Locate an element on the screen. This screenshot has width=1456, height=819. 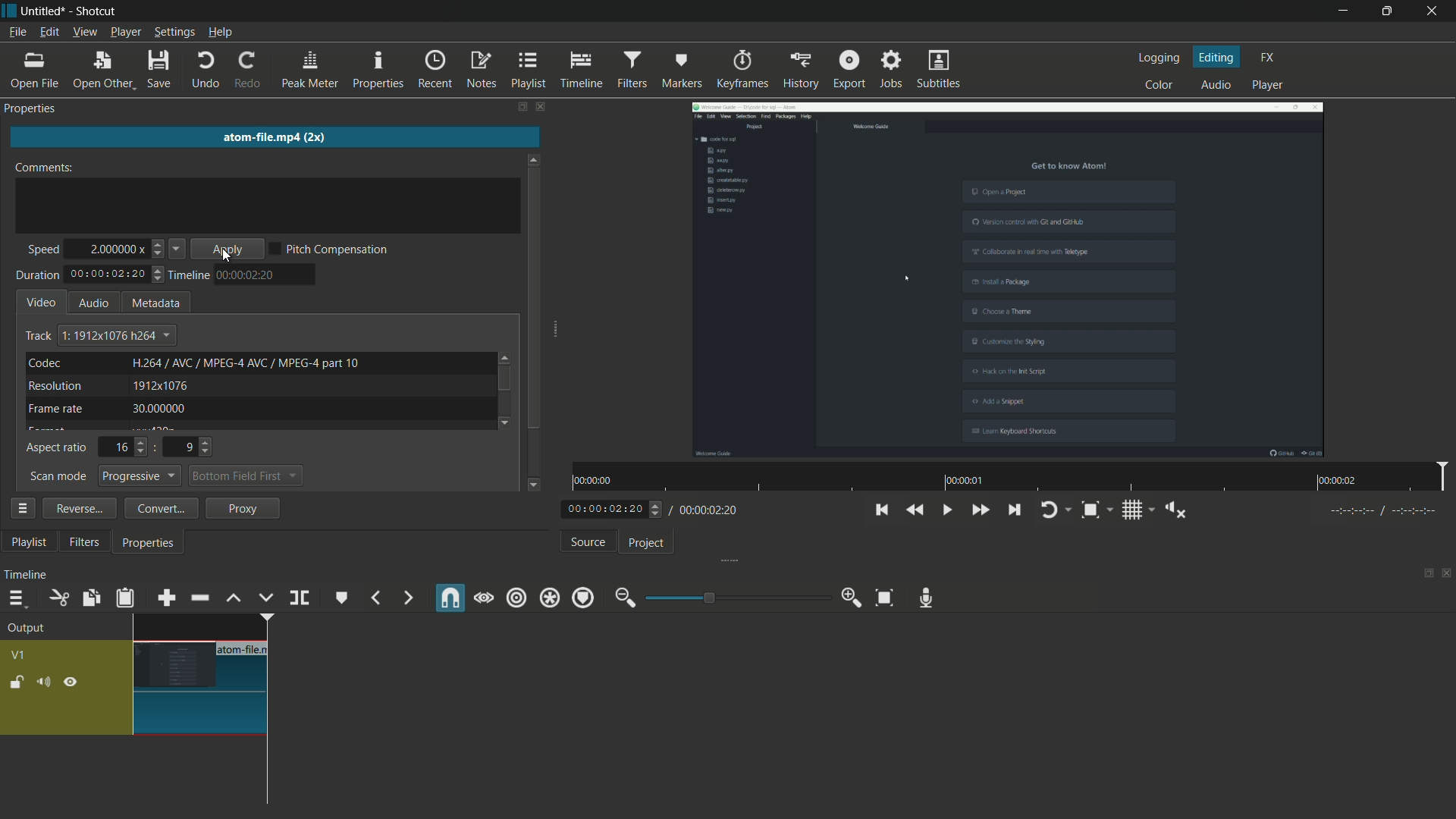
undo is located at coordinates (206, 71).